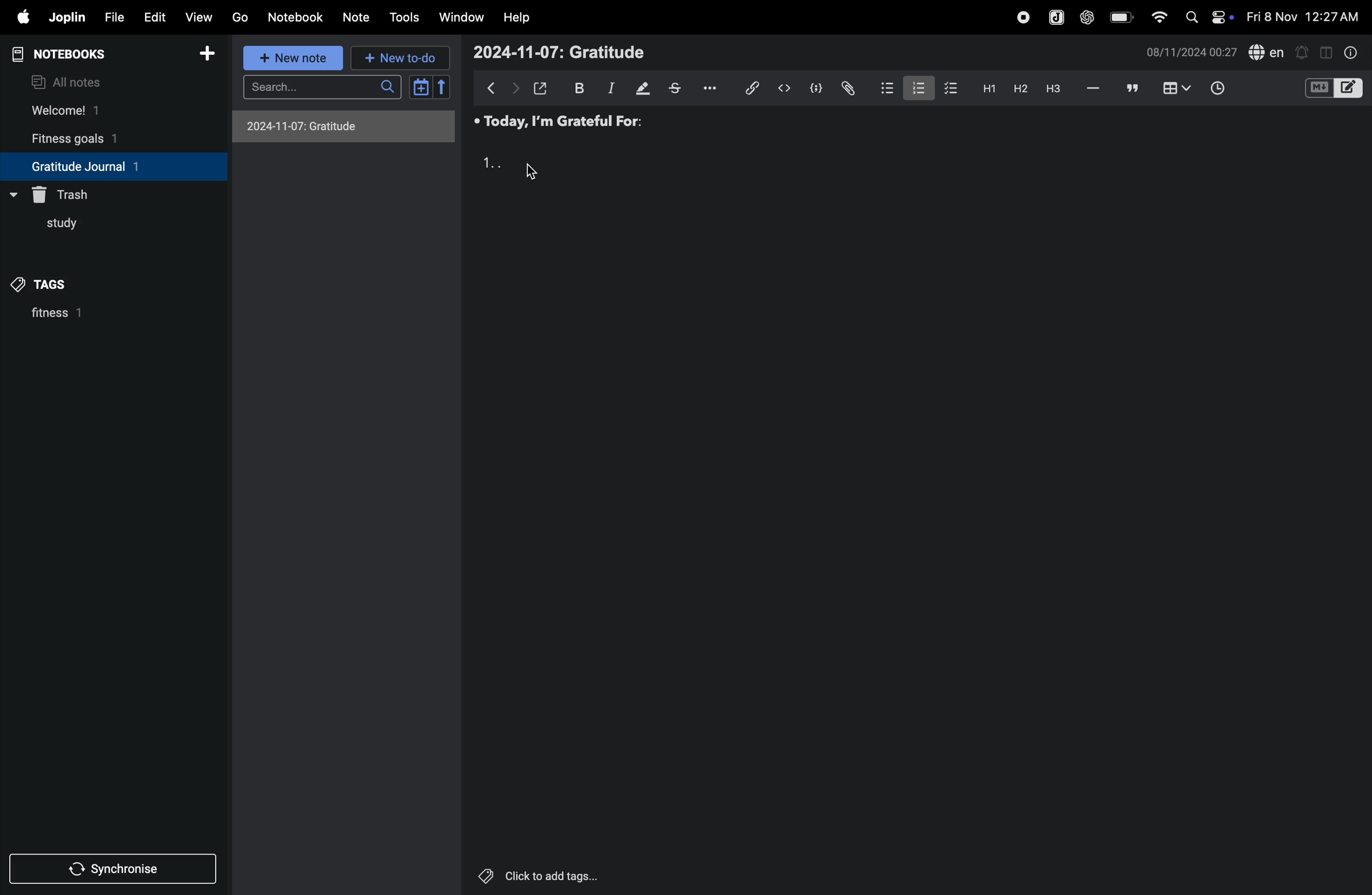  Describe the element at coordinates (1326, 51) in the screenshot. I see `toogle window` at that location.